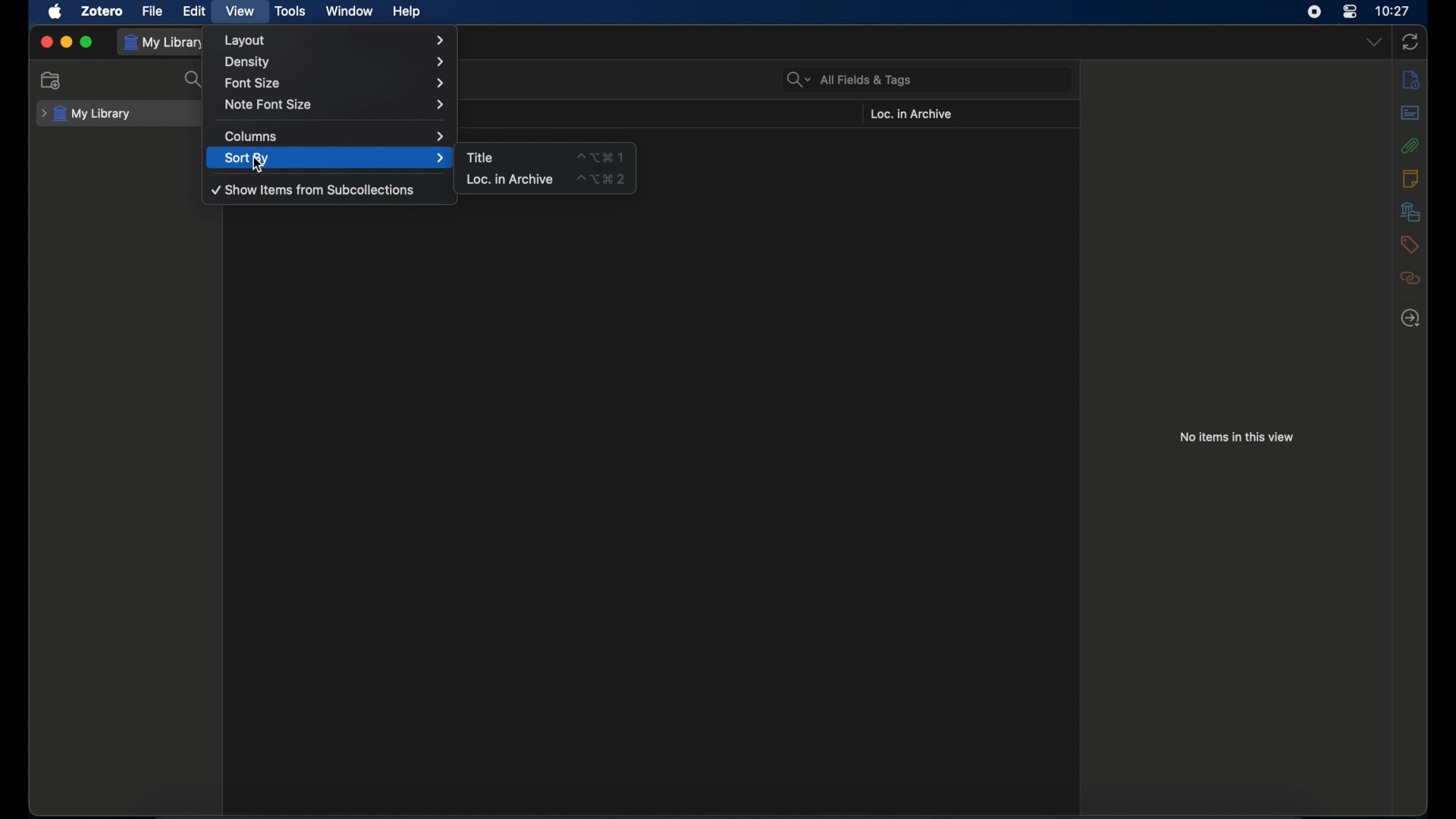 The width and height of the screenshot is (1456, 819). Describe the element at coordinates (602, 180) in the screenshot. I see `shortcut` at that location.